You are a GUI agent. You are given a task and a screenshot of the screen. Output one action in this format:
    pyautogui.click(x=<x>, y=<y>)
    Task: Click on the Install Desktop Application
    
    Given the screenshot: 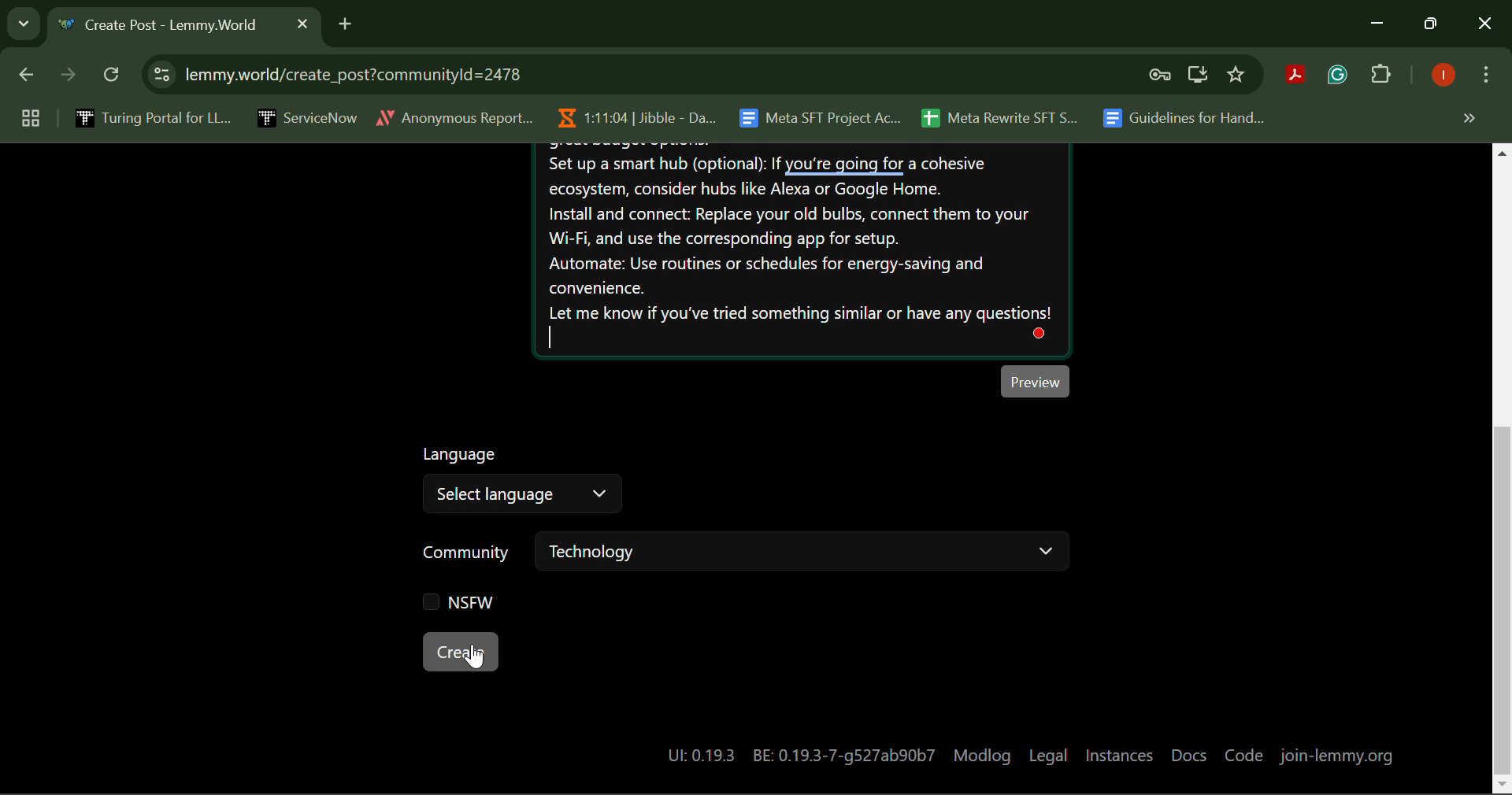 What is the action you would take?
    pyautogui.click(x=1197, y=76)
    